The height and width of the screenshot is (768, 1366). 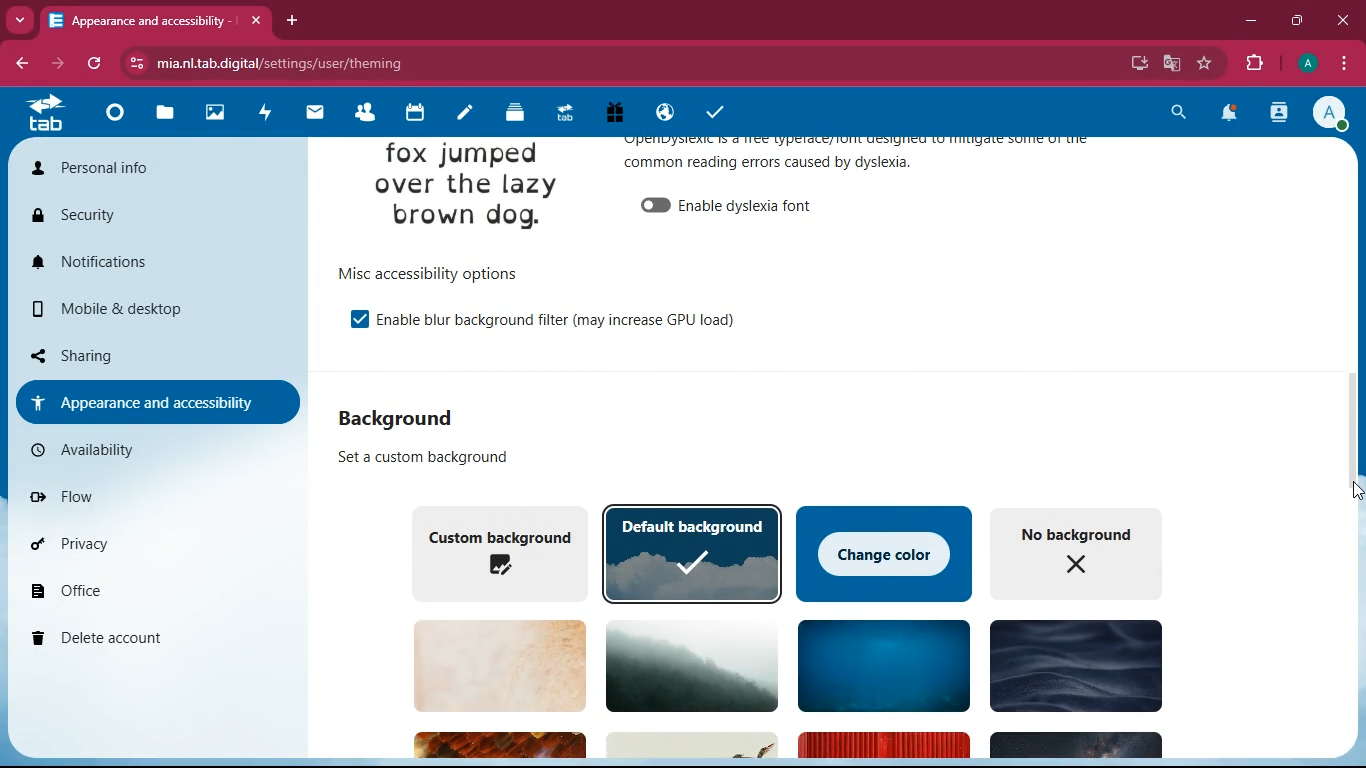 What do you see at coordinates (156, 401) in the screenshot?
I see `appearance` at bounding box center [156, 401].